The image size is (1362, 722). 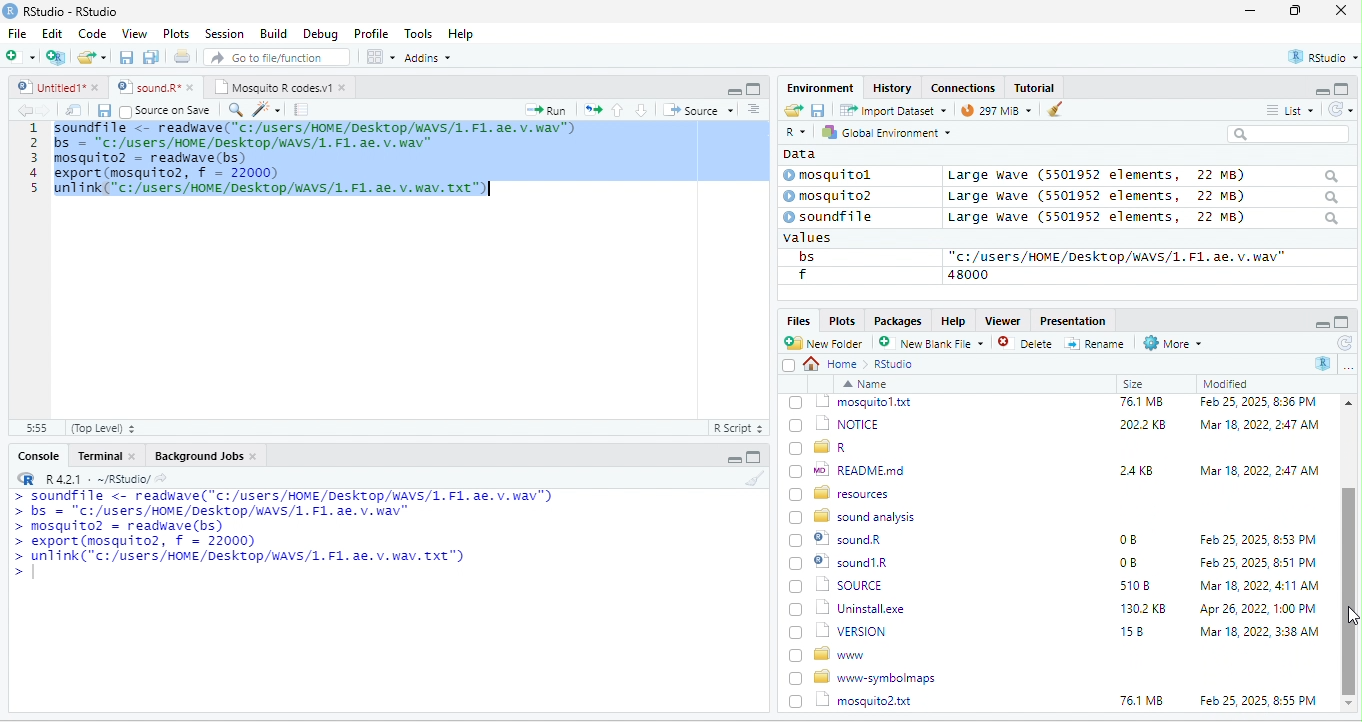 I want to click on a Ee mL aaa ee a oe LTE ETT a
> bs = "C:/users/HOME/DeskTop/wAVS/1. F1. ae. v. wav"
> mosquito? = readwave(bs)
> export (mosquito2, f = 22000)
> unlink("c:/users/HOME/Desktop/WAVS/1. F1. ae. v. wav. Txt")
>, so click(x=315, y=554).